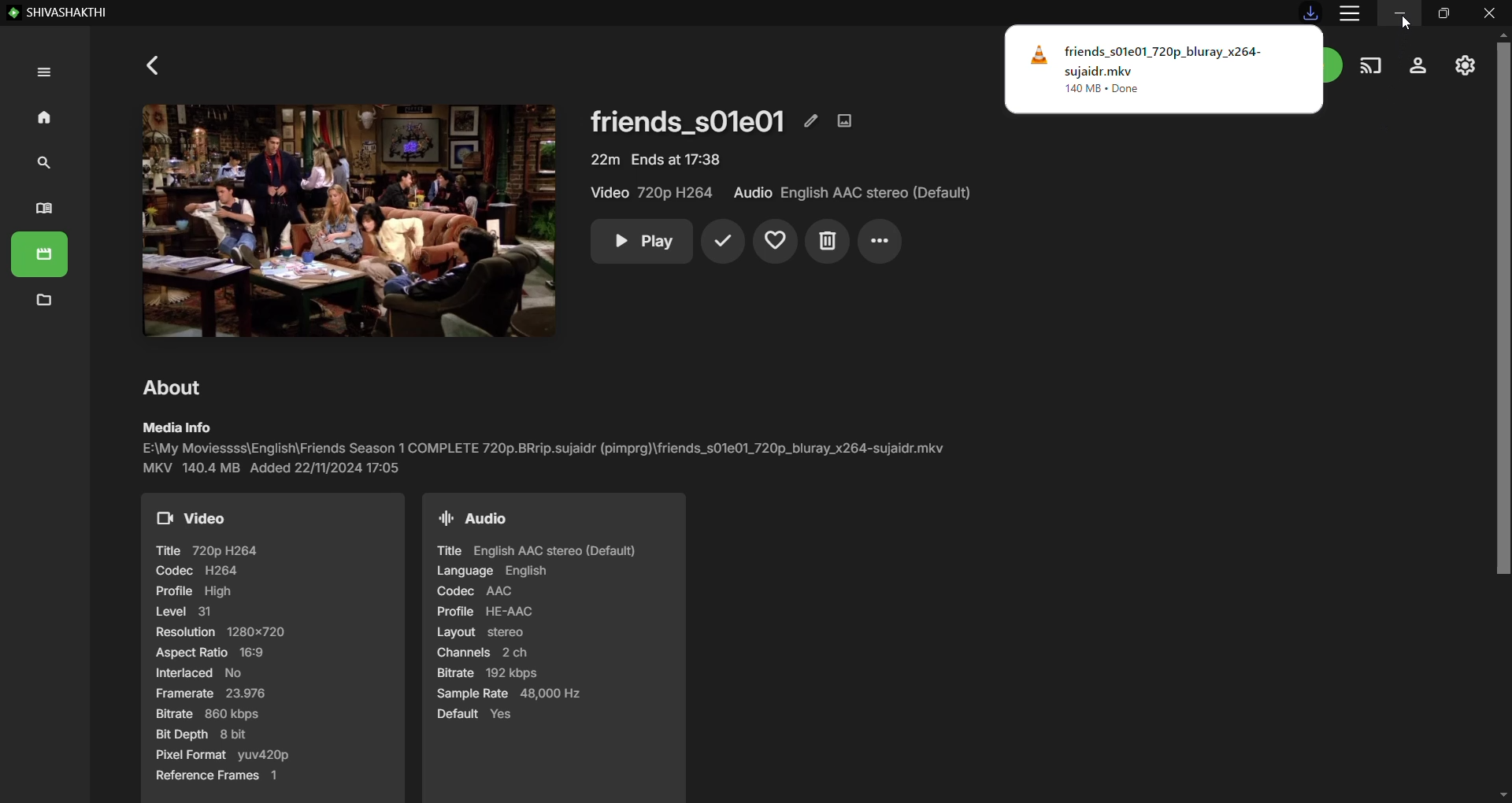  What do you see at coordinates (1443, 13) in the screenshot?
I see `Restore Down` at bounding box center [1443, 13].